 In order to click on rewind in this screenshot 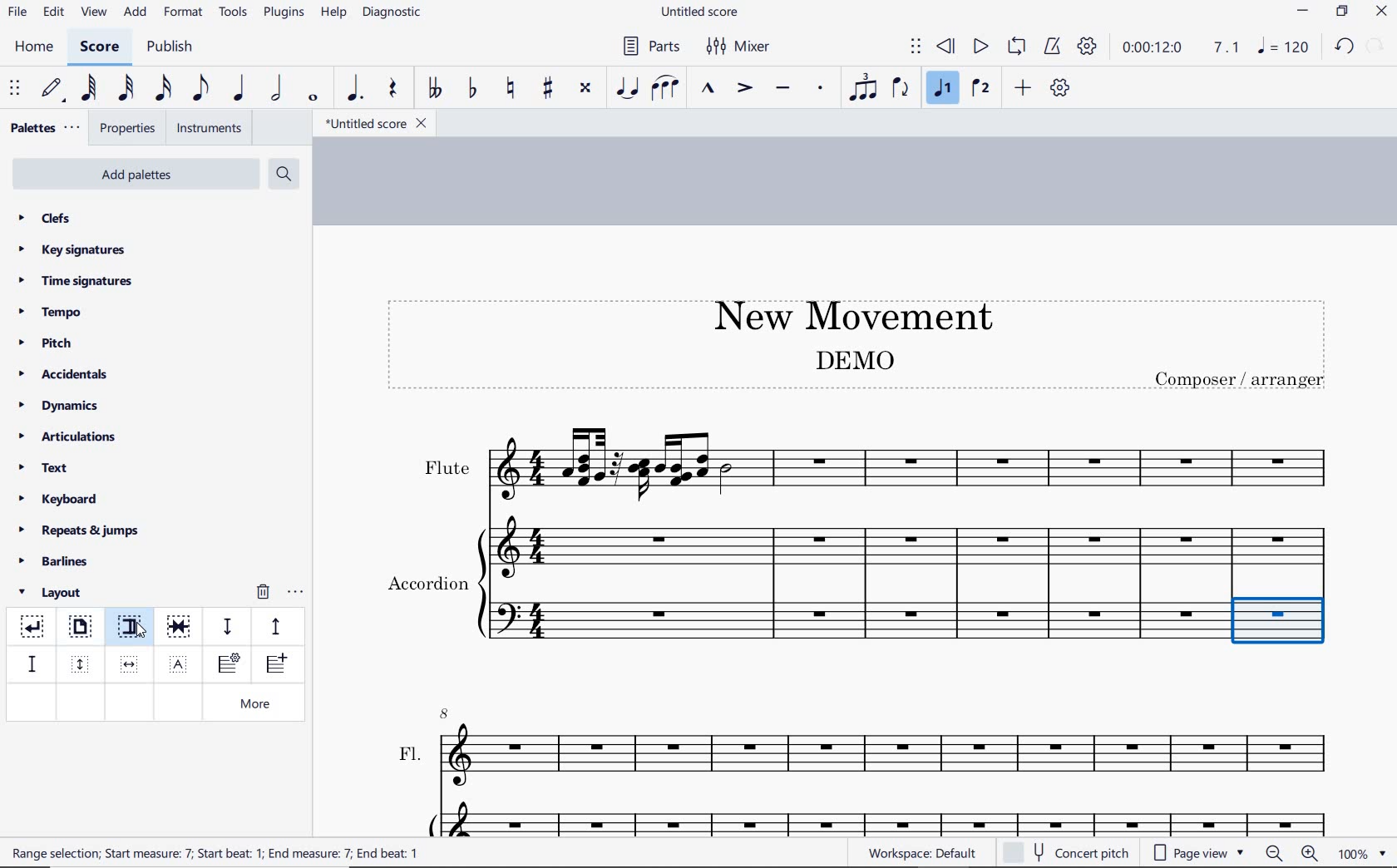, I will do `click(947, 47)`.